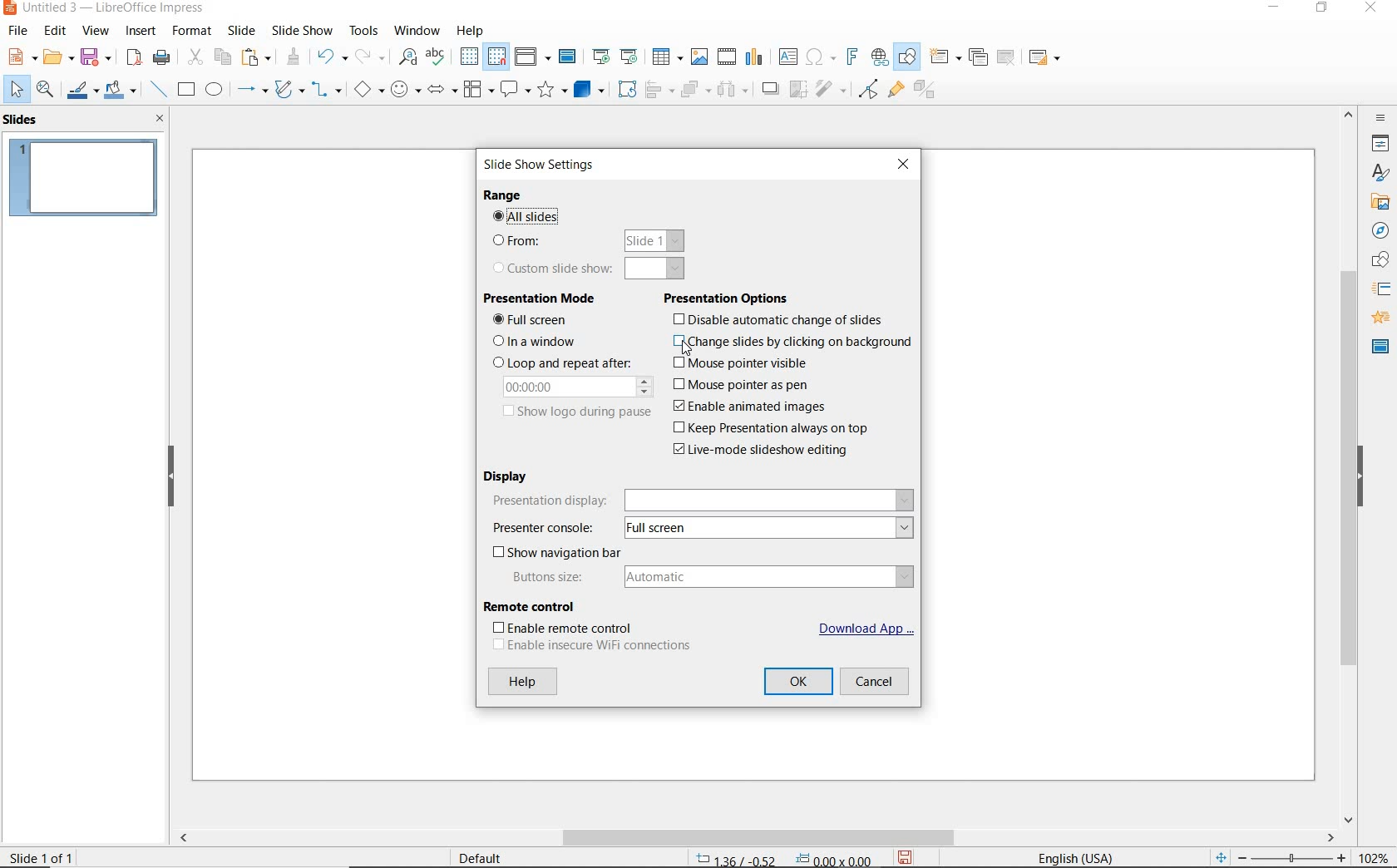 Image resolution: width=1397 pixels, height=868 pixels. What do you see at coordinates (699, 528) in the screenshot?
I see `PESENTER CONSOLE` at bounding box center [699, 528].